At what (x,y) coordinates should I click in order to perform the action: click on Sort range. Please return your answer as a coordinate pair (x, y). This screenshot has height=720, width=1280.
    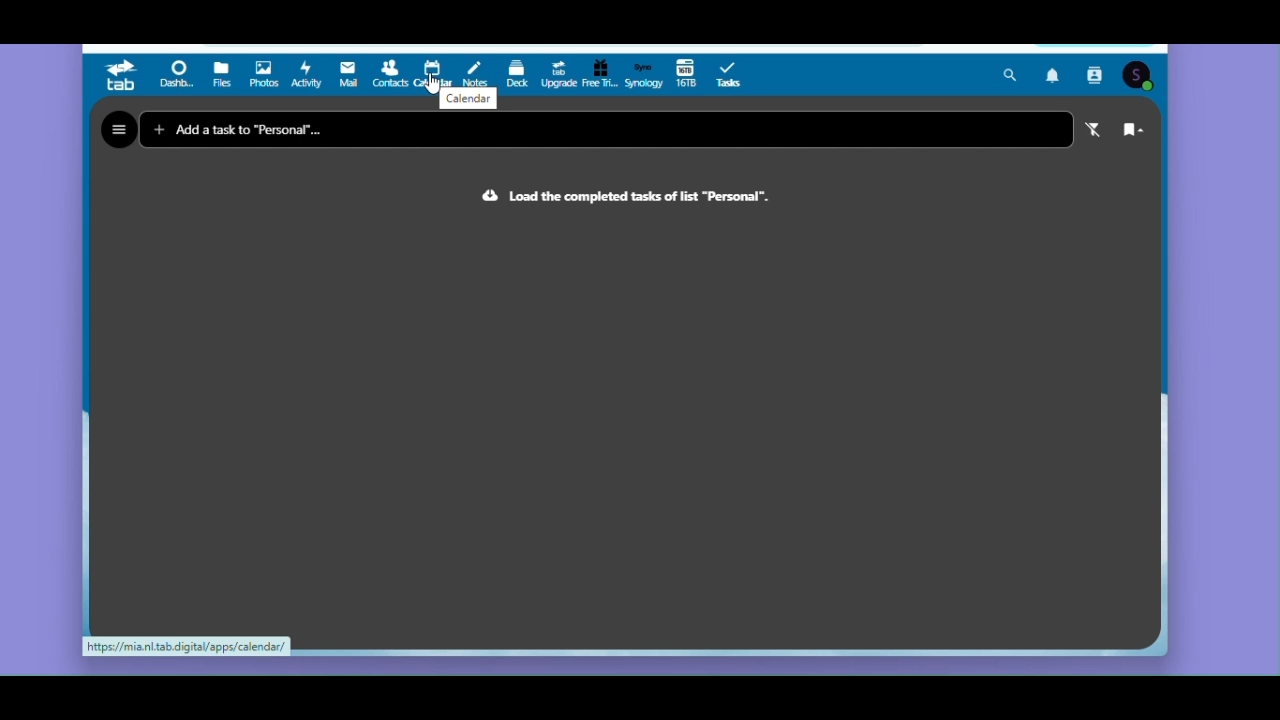
    Looking at the image, I should click on (1132, 133).